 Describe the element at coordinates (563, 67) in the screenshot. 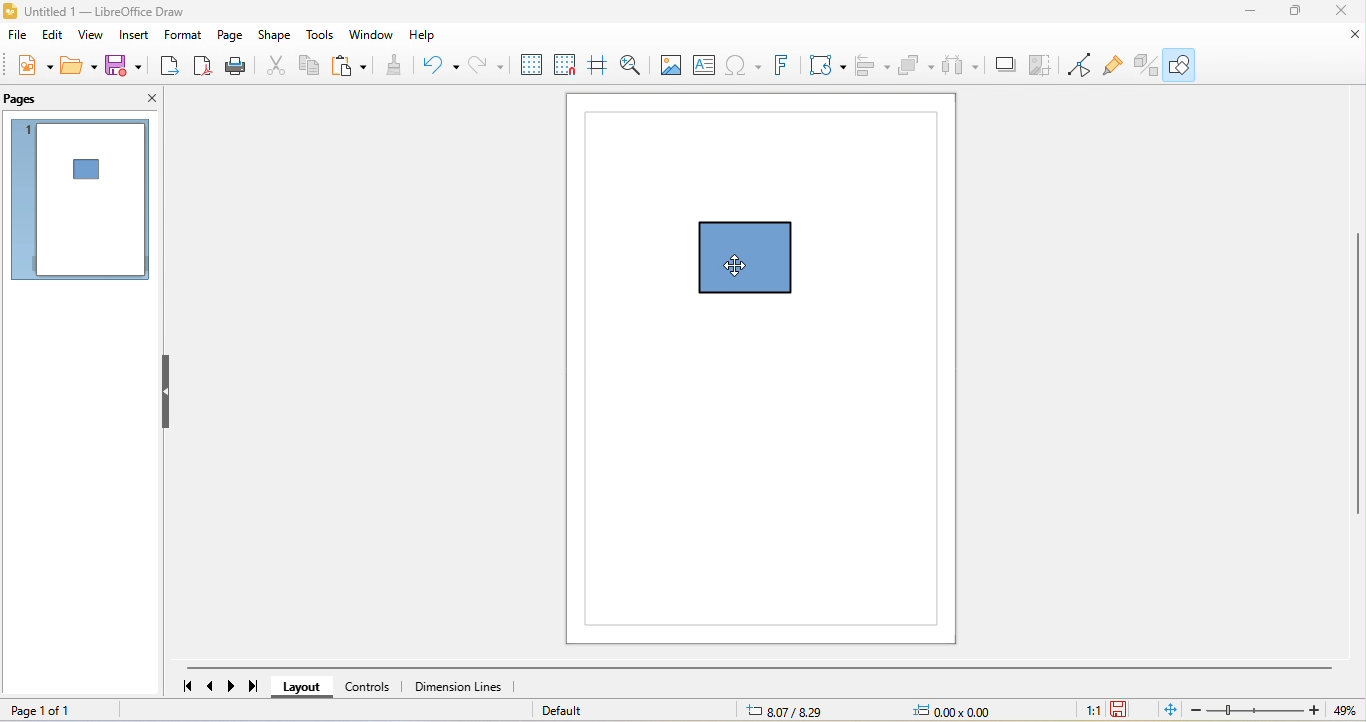

I see `snap to grid` at that location.